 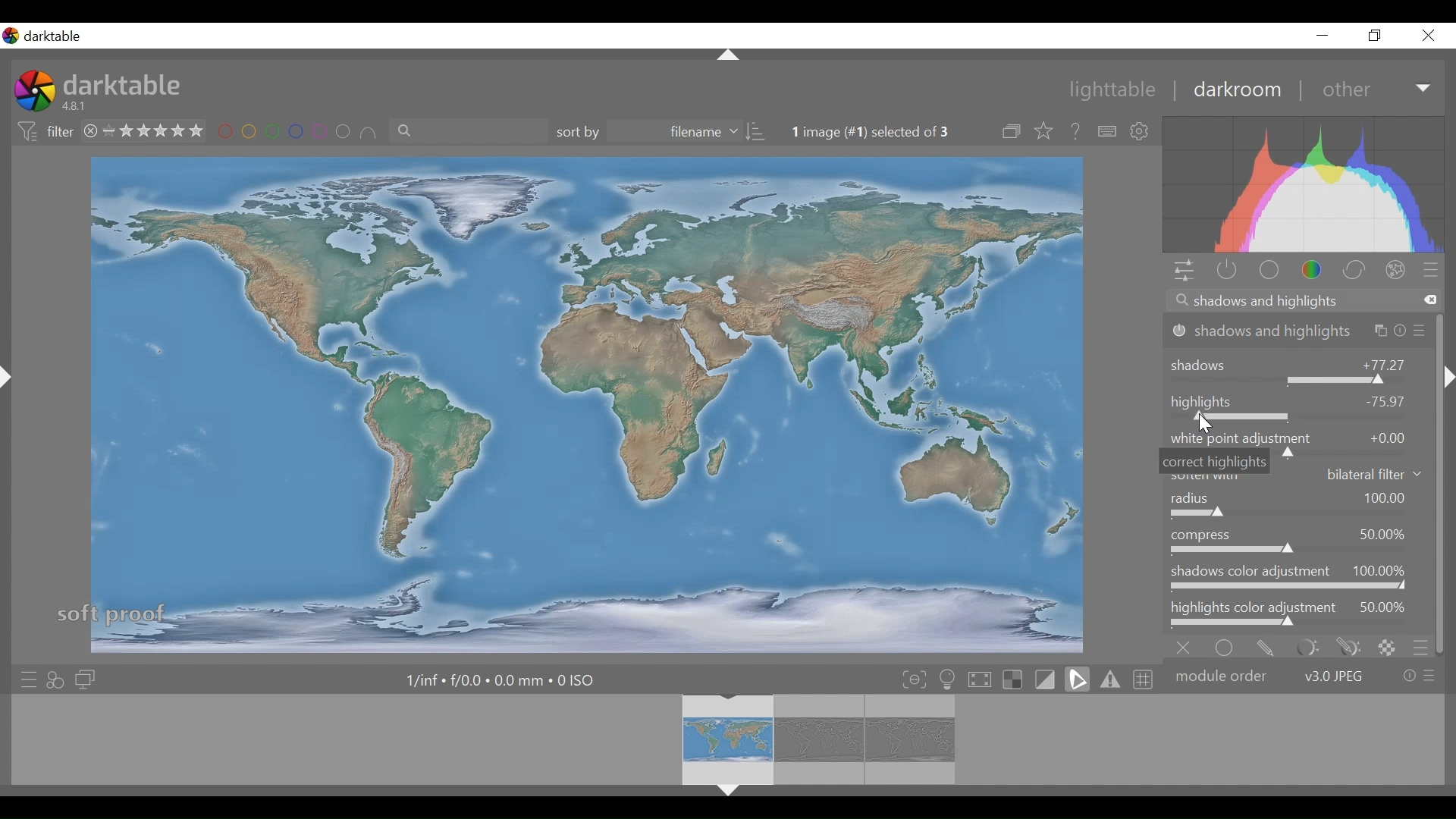 What do you see at coordinates (661, 133) in the screenshot?
I see `sort by` at bounding box center [661, 133].